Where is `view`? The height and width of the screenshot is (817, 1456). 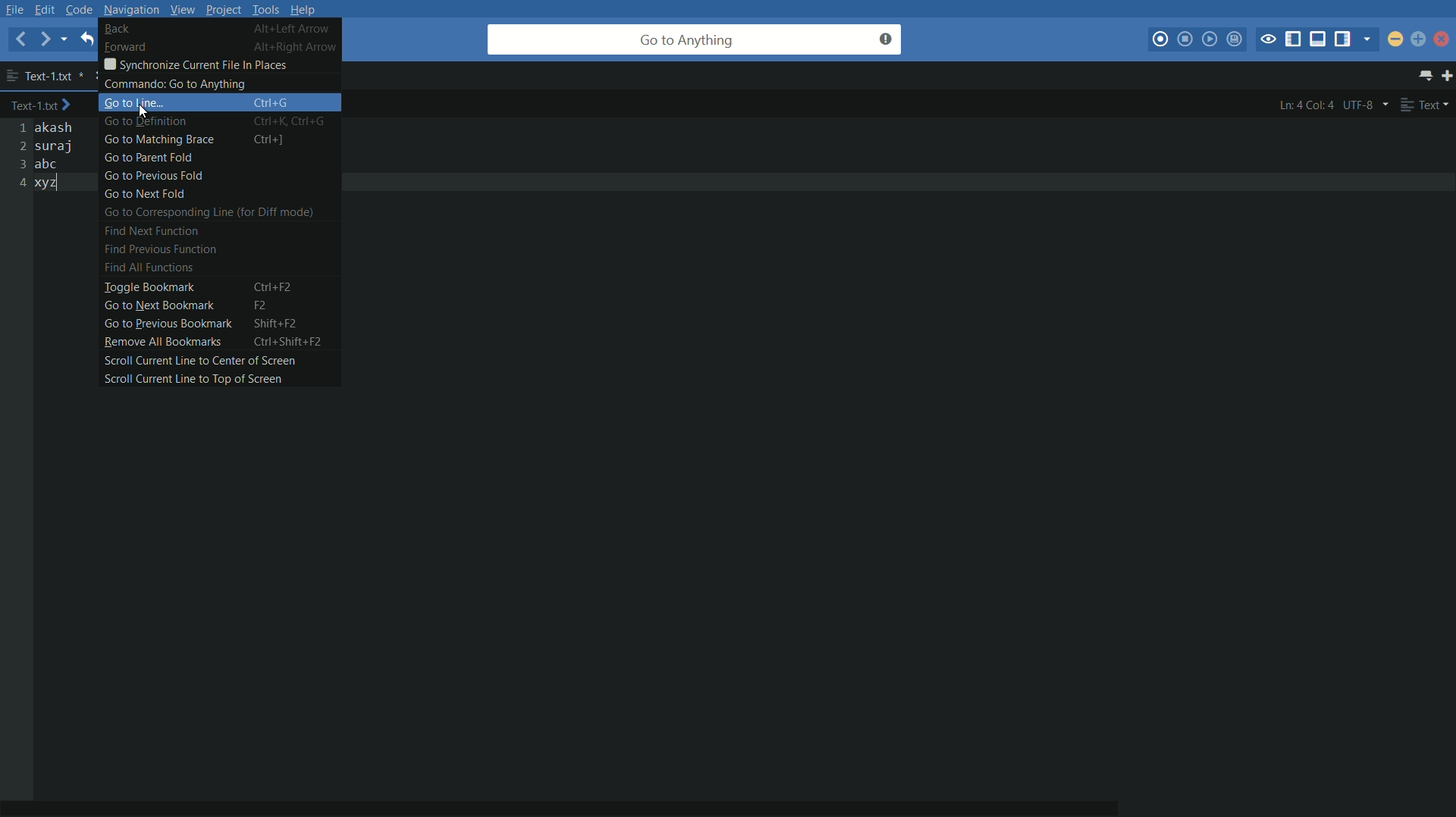 view is located at coordinates (180, 9).